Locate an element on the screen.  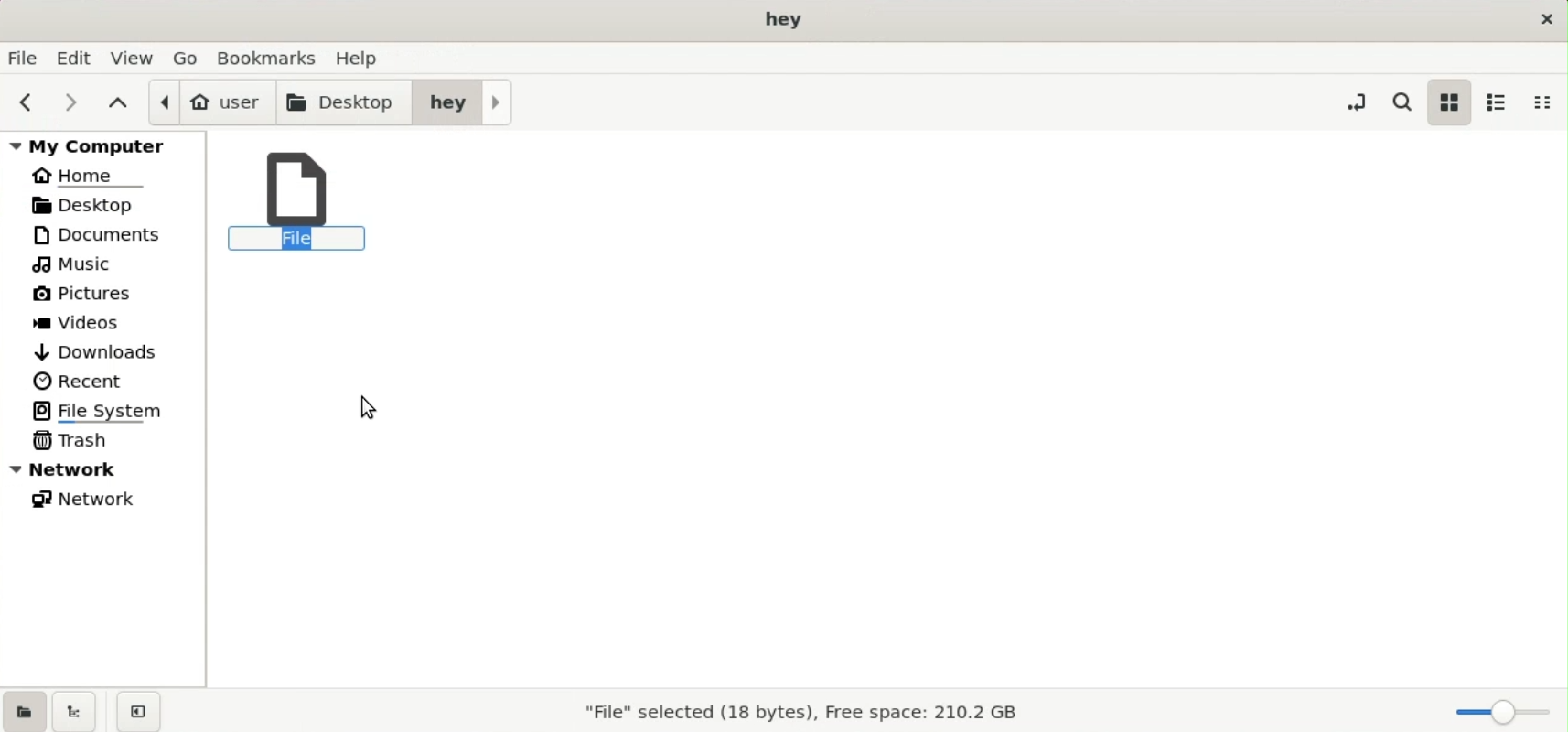
toggle location entry is located at coordinates (1356, 101).